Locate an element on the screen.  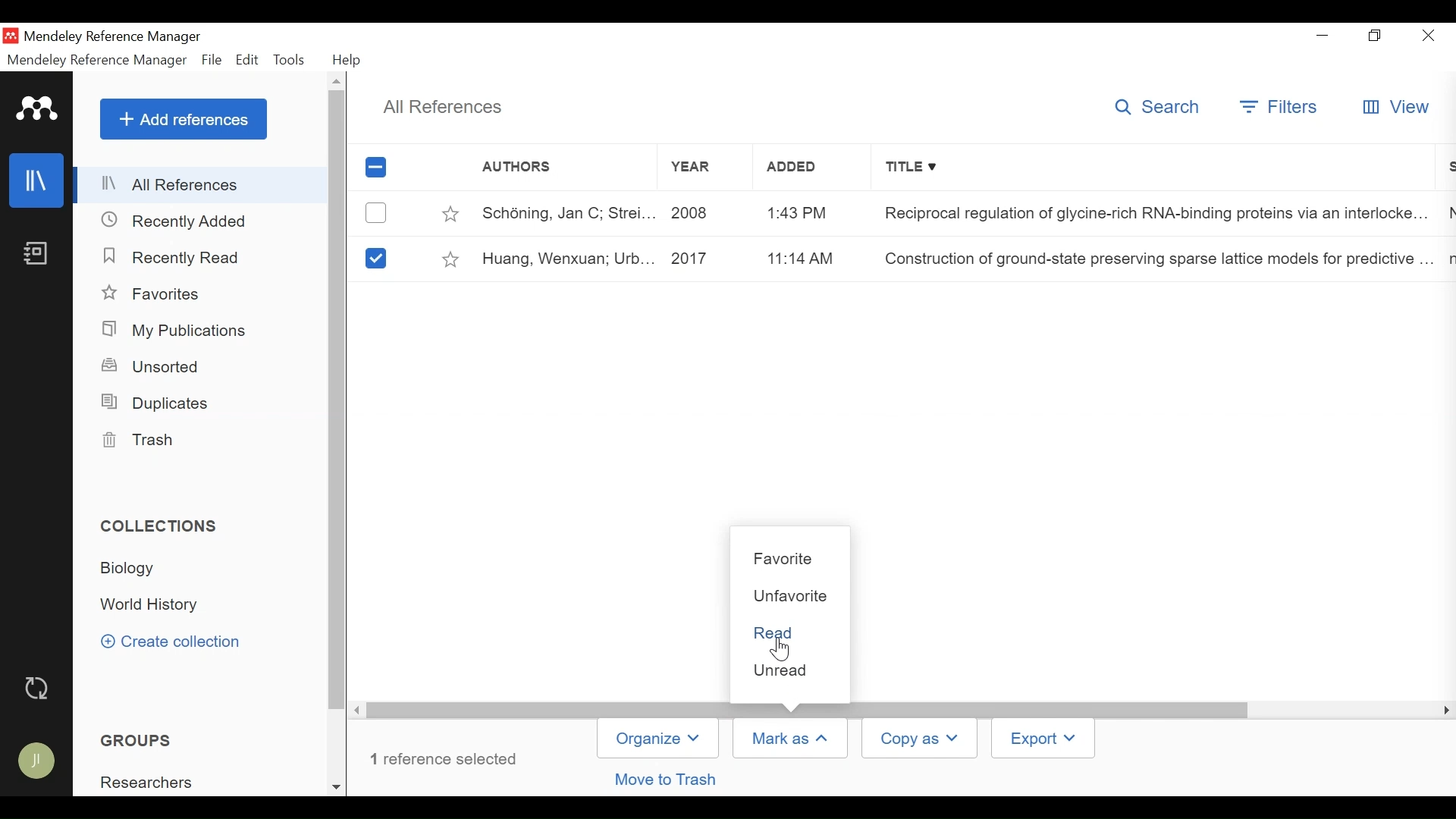
(un)select is located at coordinates (375, 213).